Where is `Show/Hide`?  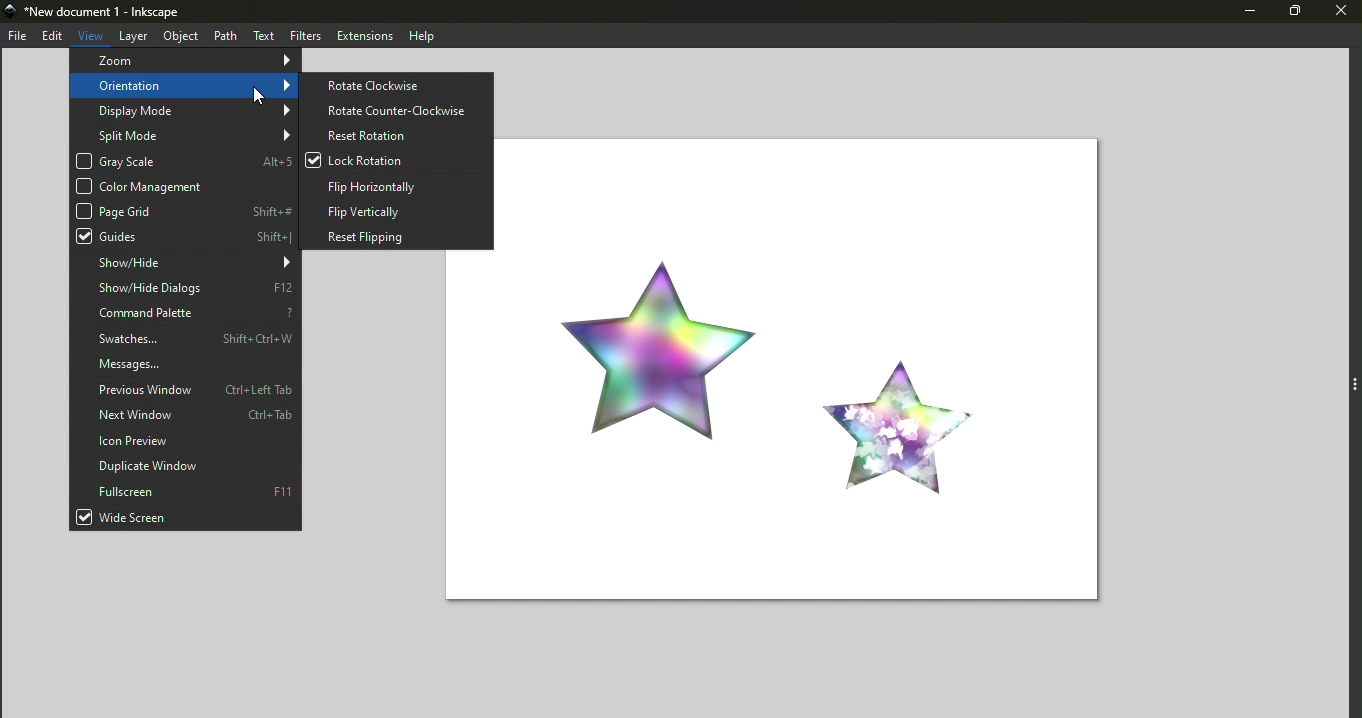 Show/Hide is located at coordinates (184, 263).